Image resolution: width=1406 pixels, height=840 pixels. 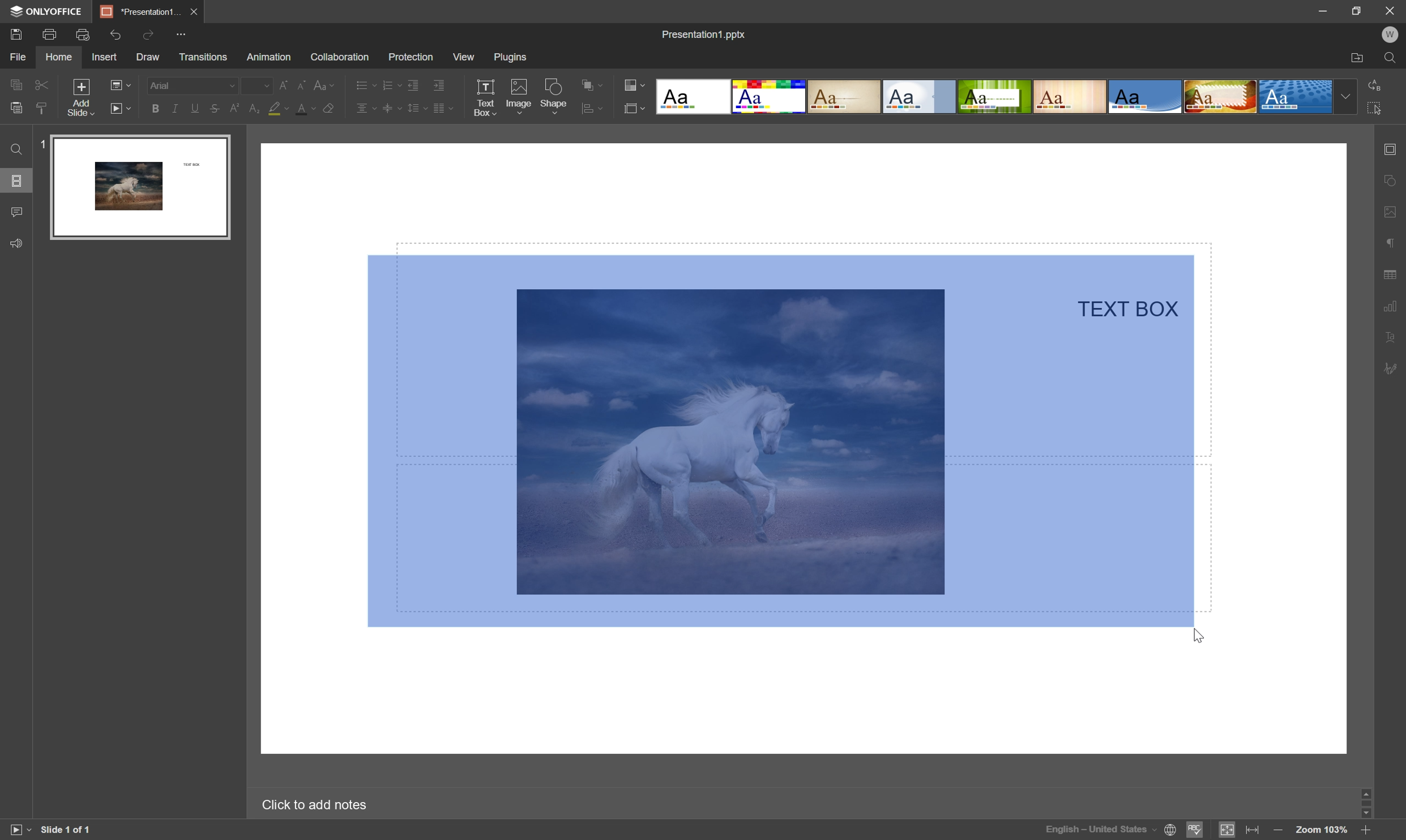 What do you see at coordinates (592, 109) in the screenshot?
I see `arrange shape` at bounding box center [592, 109].